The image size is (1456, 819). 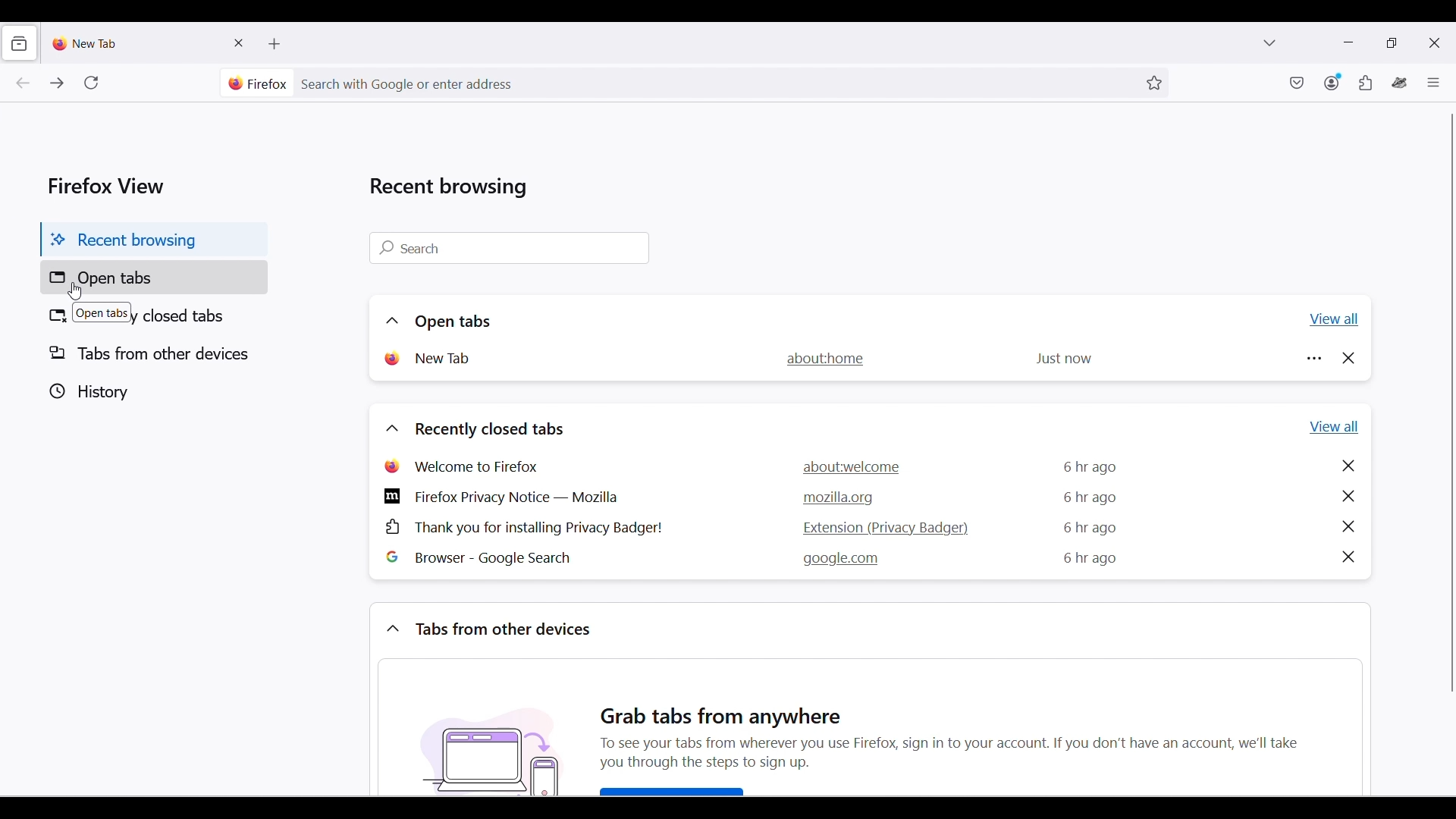 I want to click on Logo of website opened in tab, so click(x=391, y=359).